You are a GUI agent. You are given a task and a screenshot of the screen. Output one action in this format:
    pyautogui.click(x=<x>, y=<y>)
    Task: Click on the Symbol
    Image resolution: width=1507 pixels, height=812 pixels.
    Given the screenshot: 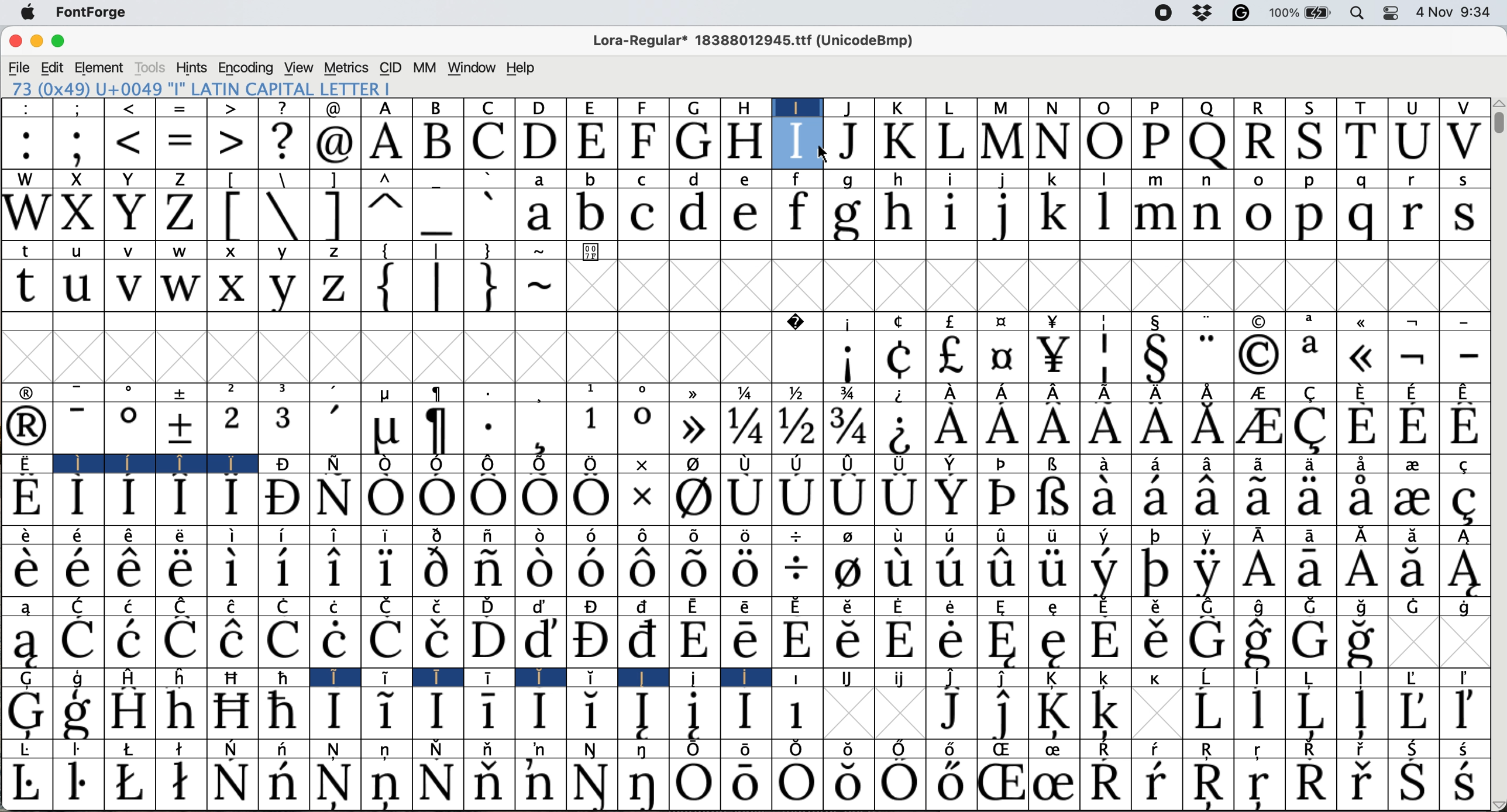 What is the action you would take?
    pyautogui.click(x=899, y=358)
    